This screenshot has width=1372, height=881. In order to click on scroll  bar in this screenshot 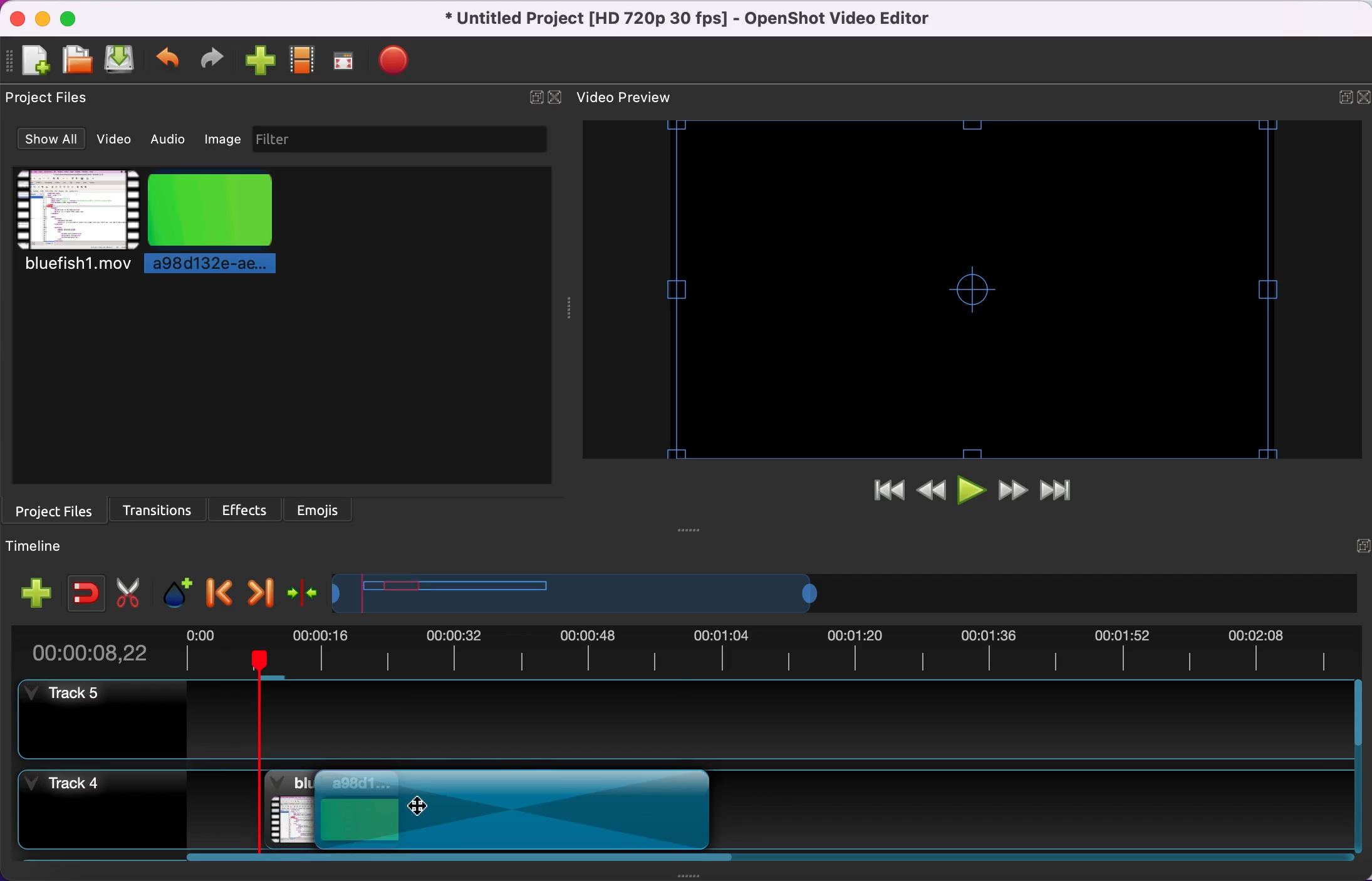, I will do `click(487, 862)`.